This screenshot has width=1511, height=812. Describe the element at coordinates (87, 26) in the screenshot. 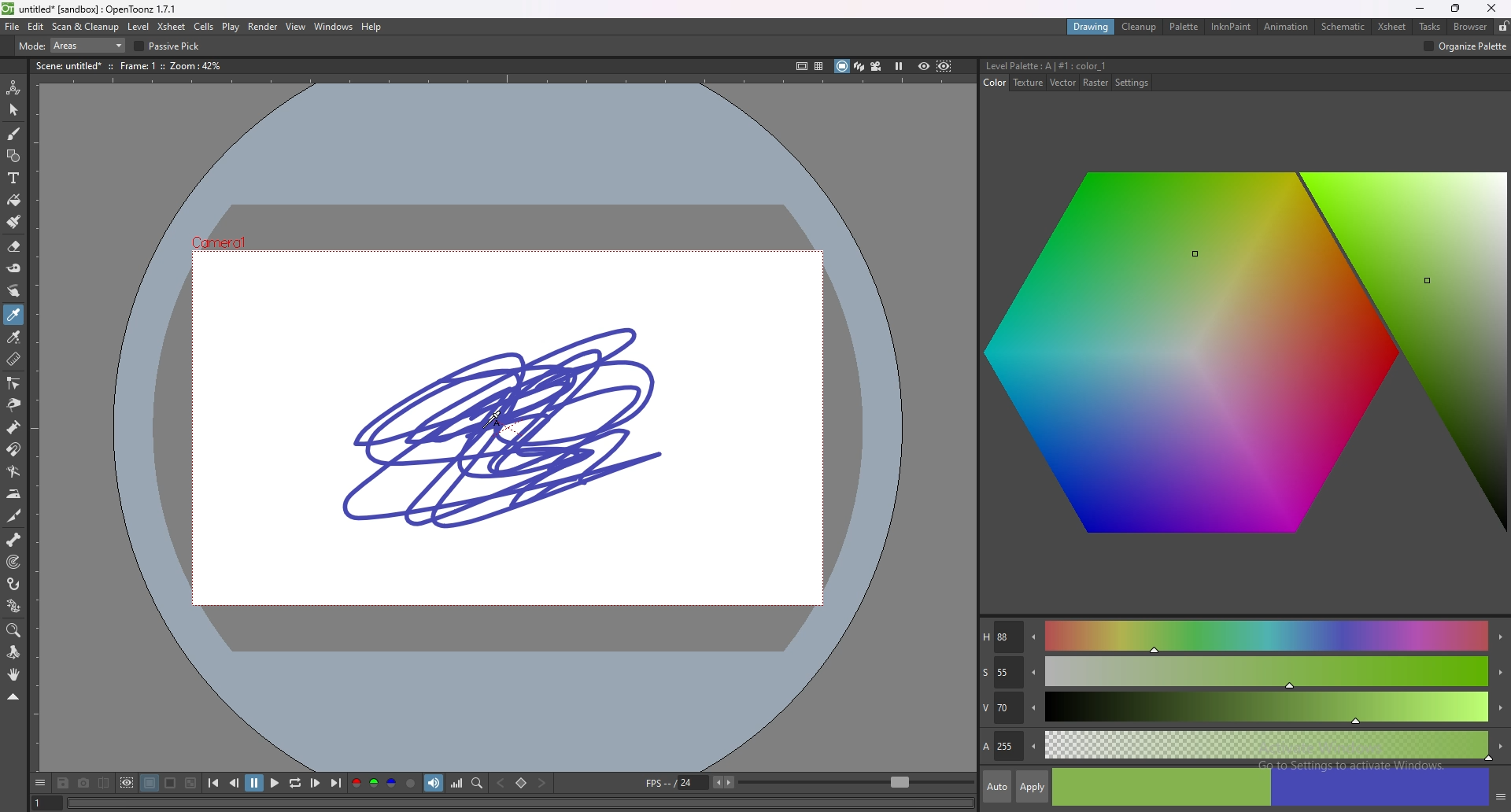

I see `scan and cleanup` at that location.